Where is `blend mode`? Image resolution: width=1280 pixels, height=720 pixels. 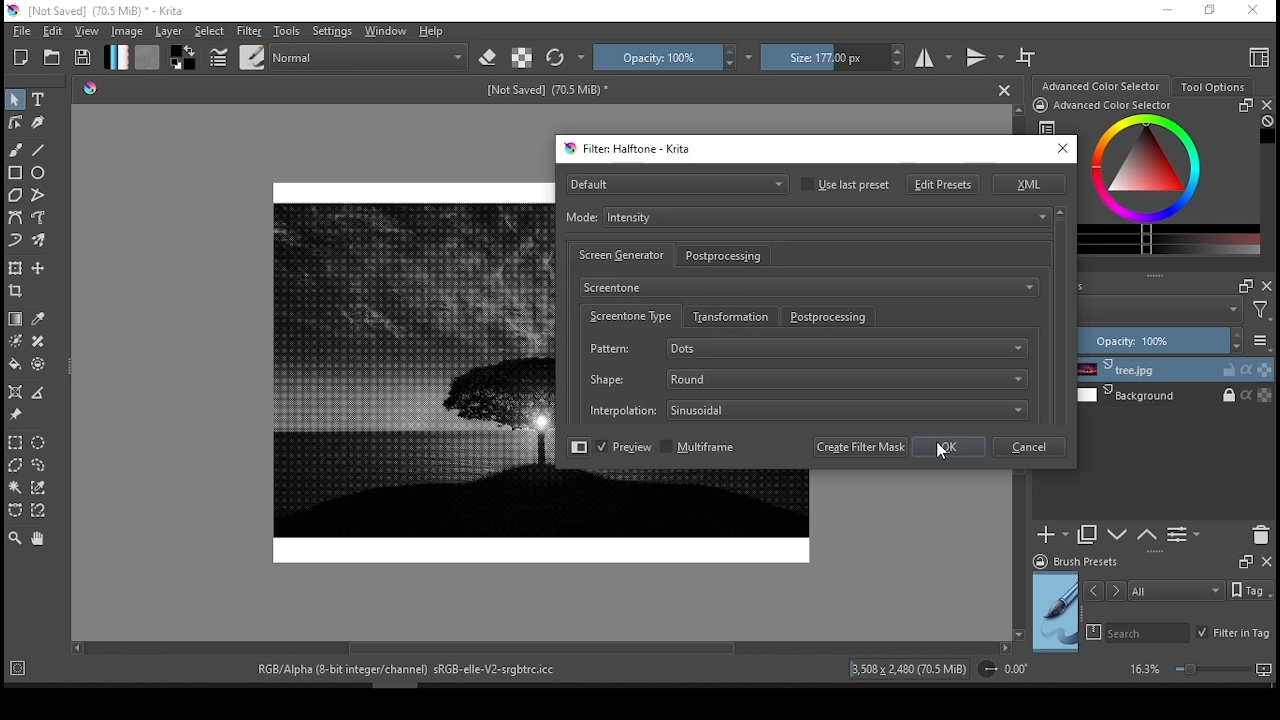 blend mode is located at coordinates (1179, 310).